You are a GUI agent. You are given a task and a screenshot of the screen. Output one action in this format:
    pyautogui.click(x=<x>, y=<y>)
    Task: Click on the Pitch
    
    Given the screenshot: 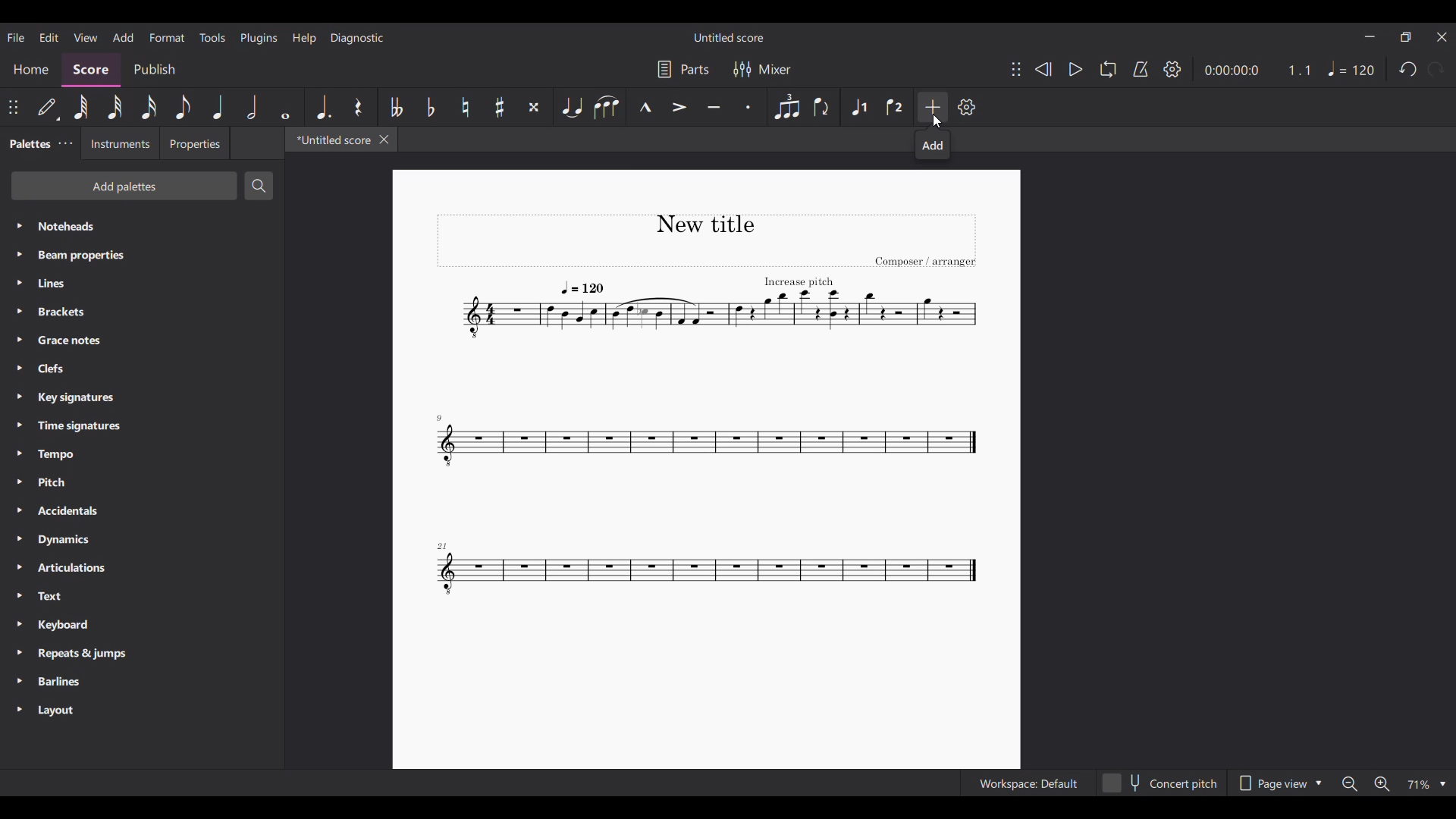 What is the action you would take?
    pyautogui.click(x=142, y=482)
    